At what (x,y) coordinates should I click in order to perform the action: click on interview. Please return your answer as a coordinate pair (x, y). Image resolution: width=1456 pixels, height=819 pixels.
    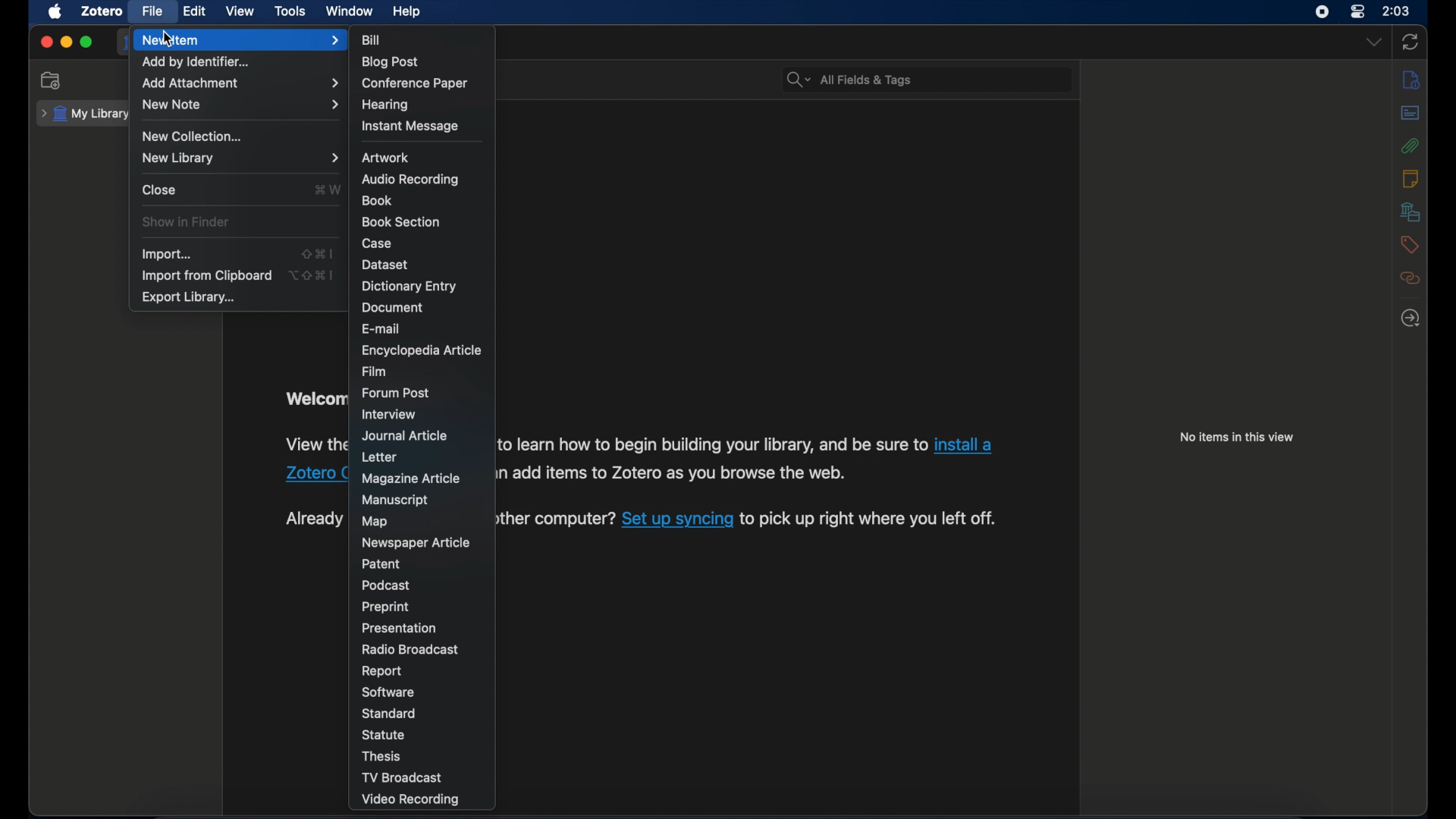
    Looking at the image, I should click on (388, 414).